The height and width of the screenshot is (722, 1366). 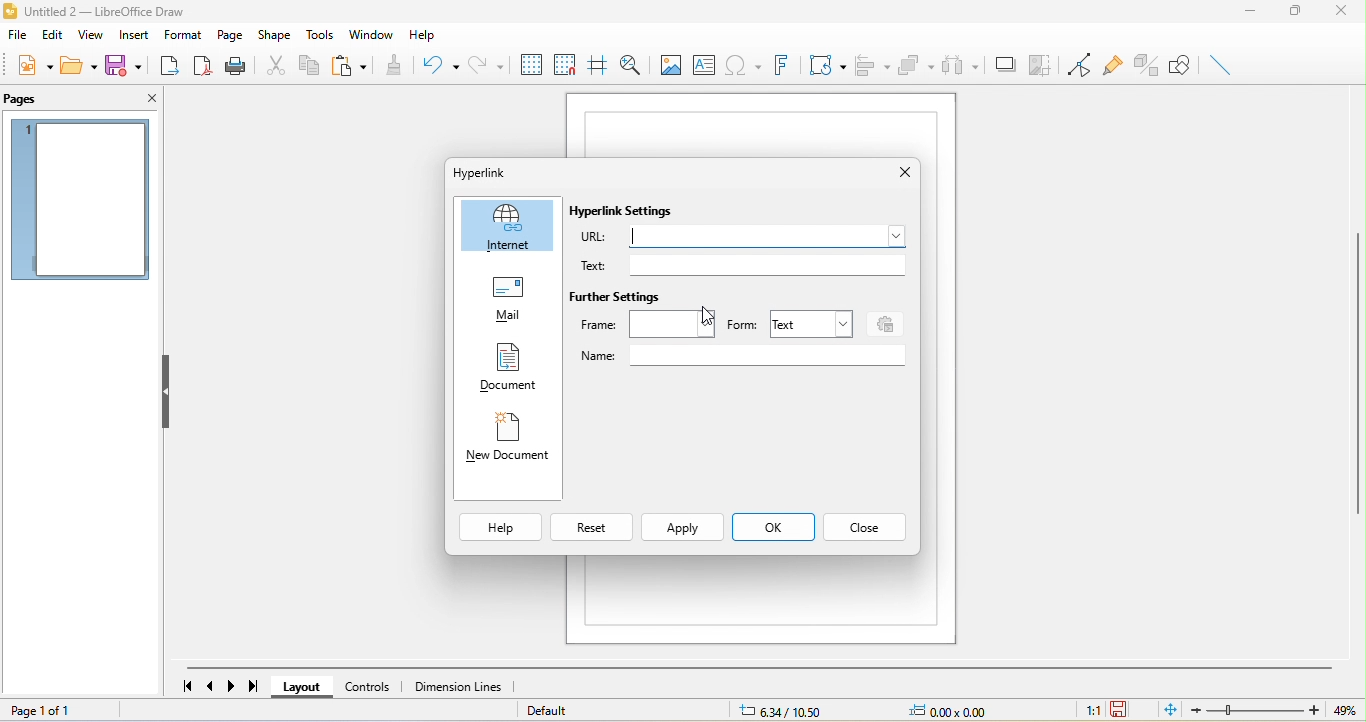 What do you see at coordinates (398, 64) in the screenshot?
I see `clone formatting` at bounding box center [398, 64].